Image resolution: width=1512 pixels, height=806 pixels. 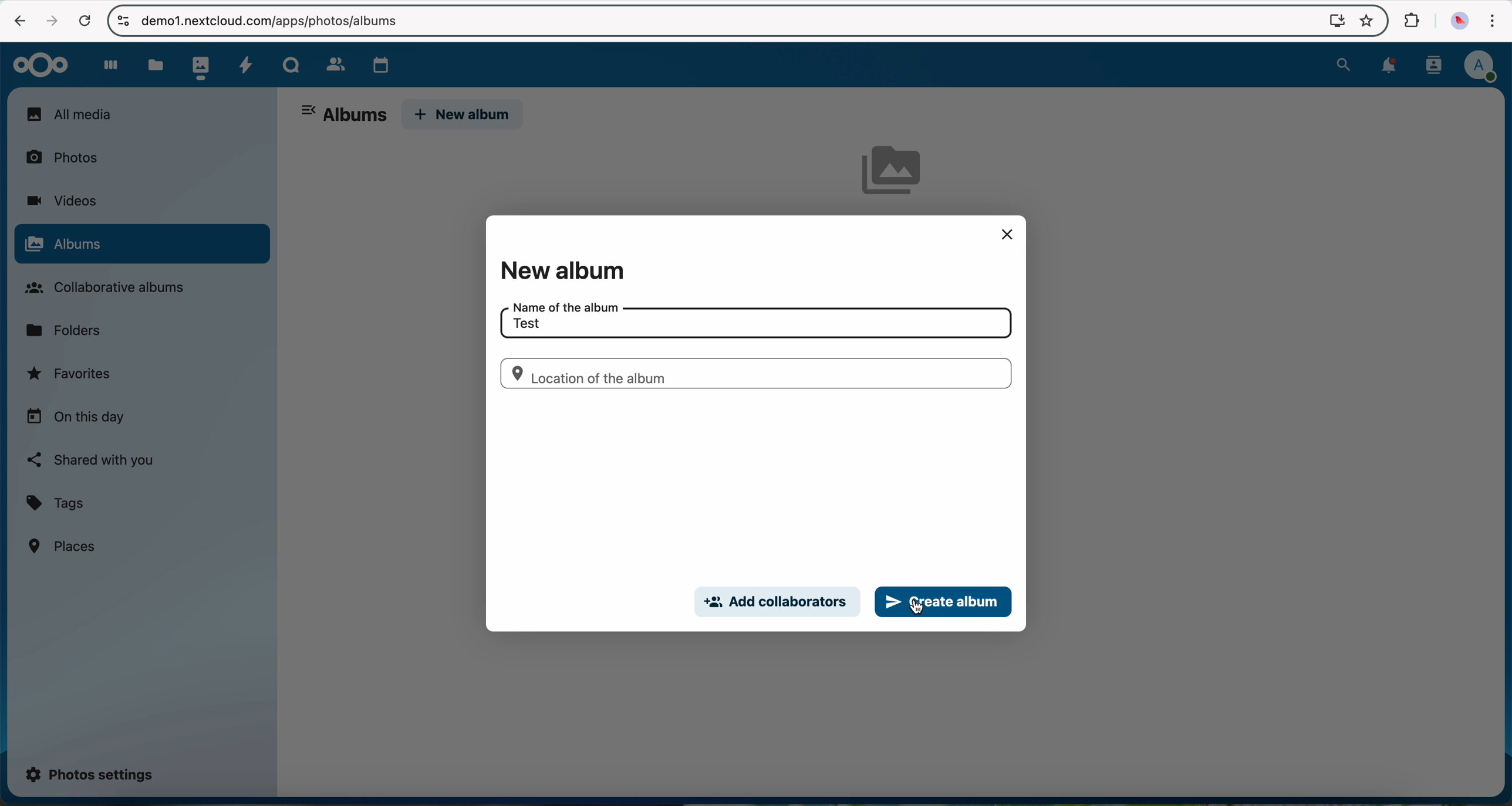 What do you see at coordinates (71, 377) in the screenshot?
I see `favorites` at bounding box center [71, 377].